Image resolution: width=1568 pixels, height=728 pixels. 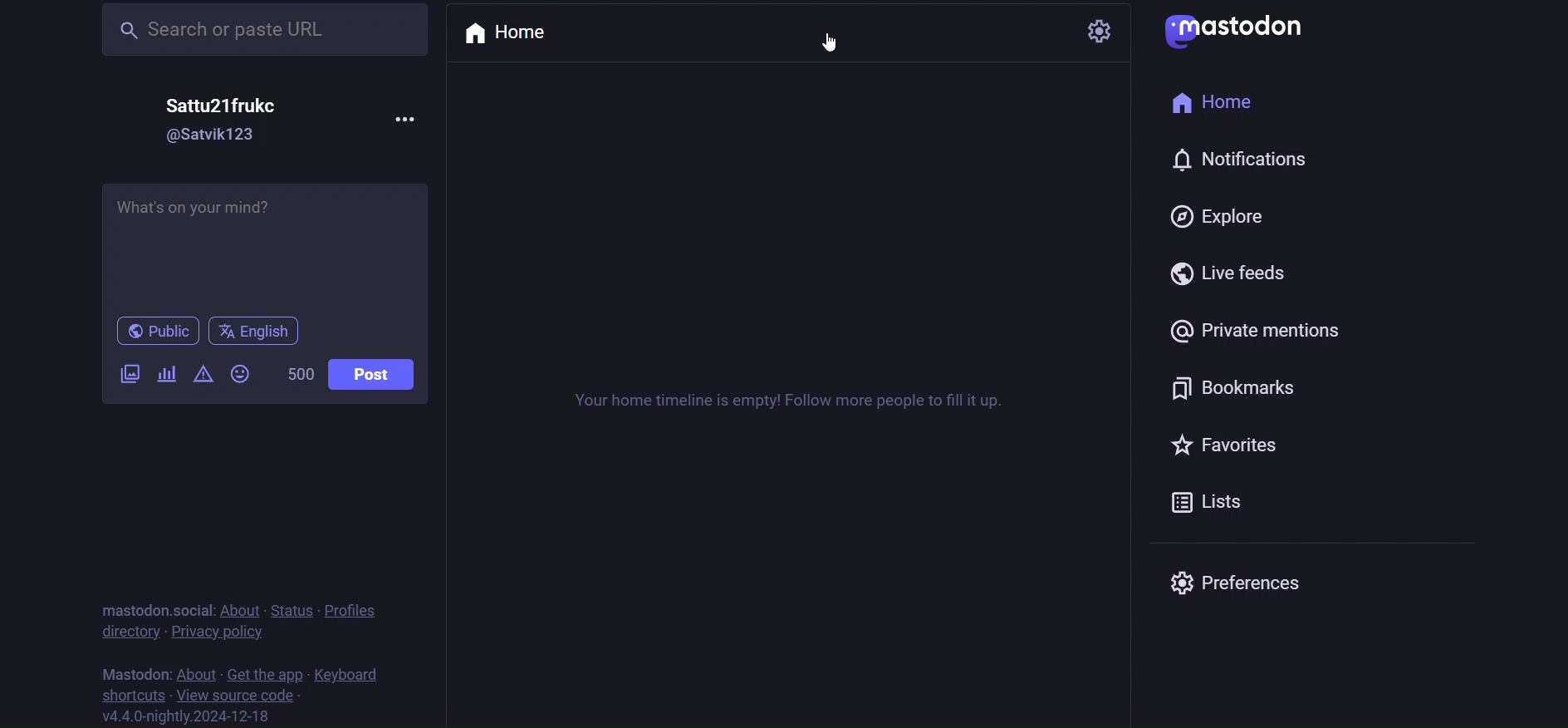 I want to click on more, so click(x=419, y=114).